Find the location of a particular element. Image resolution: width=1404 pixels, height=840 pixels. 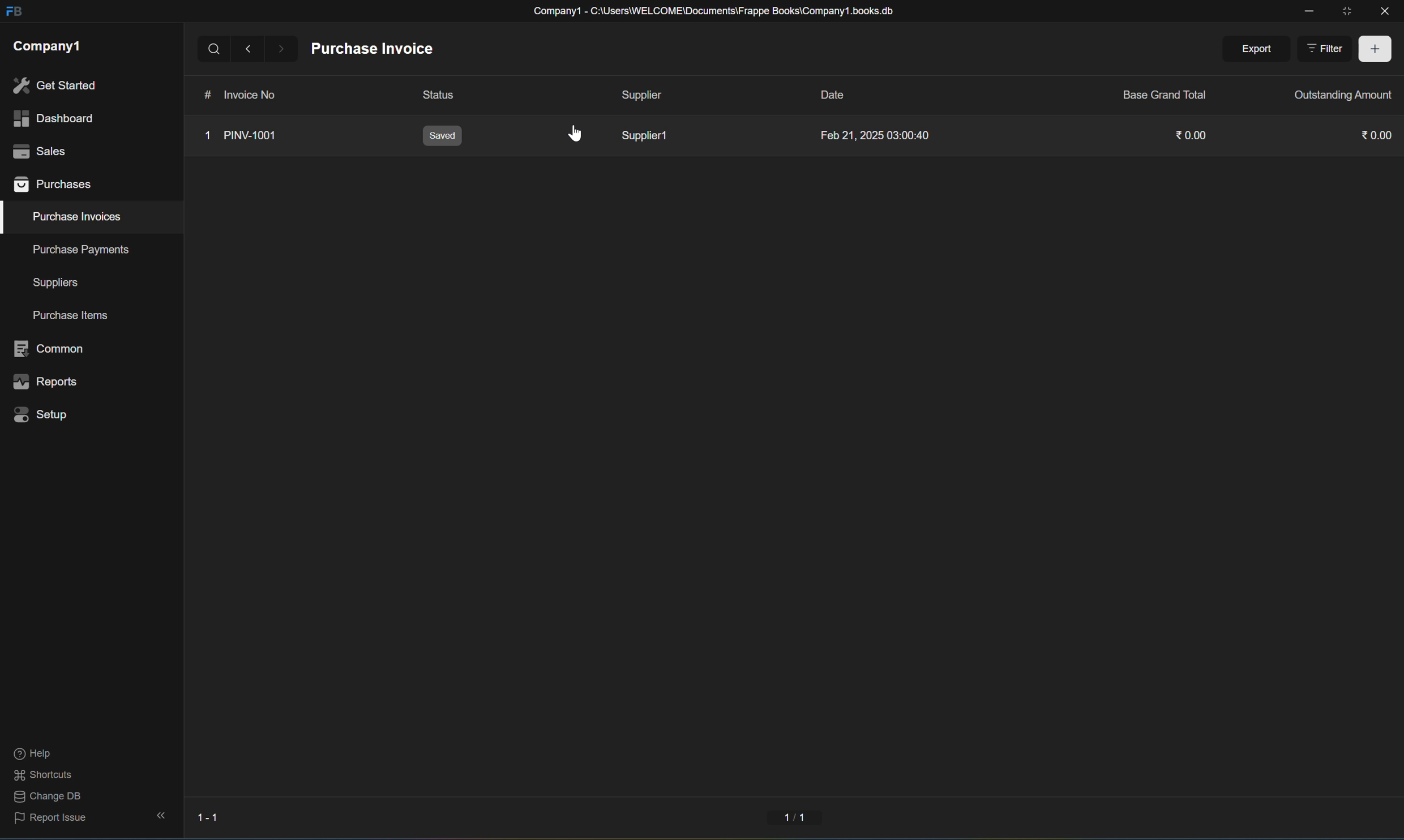

shortcuts is located at coordinates (44, 775).